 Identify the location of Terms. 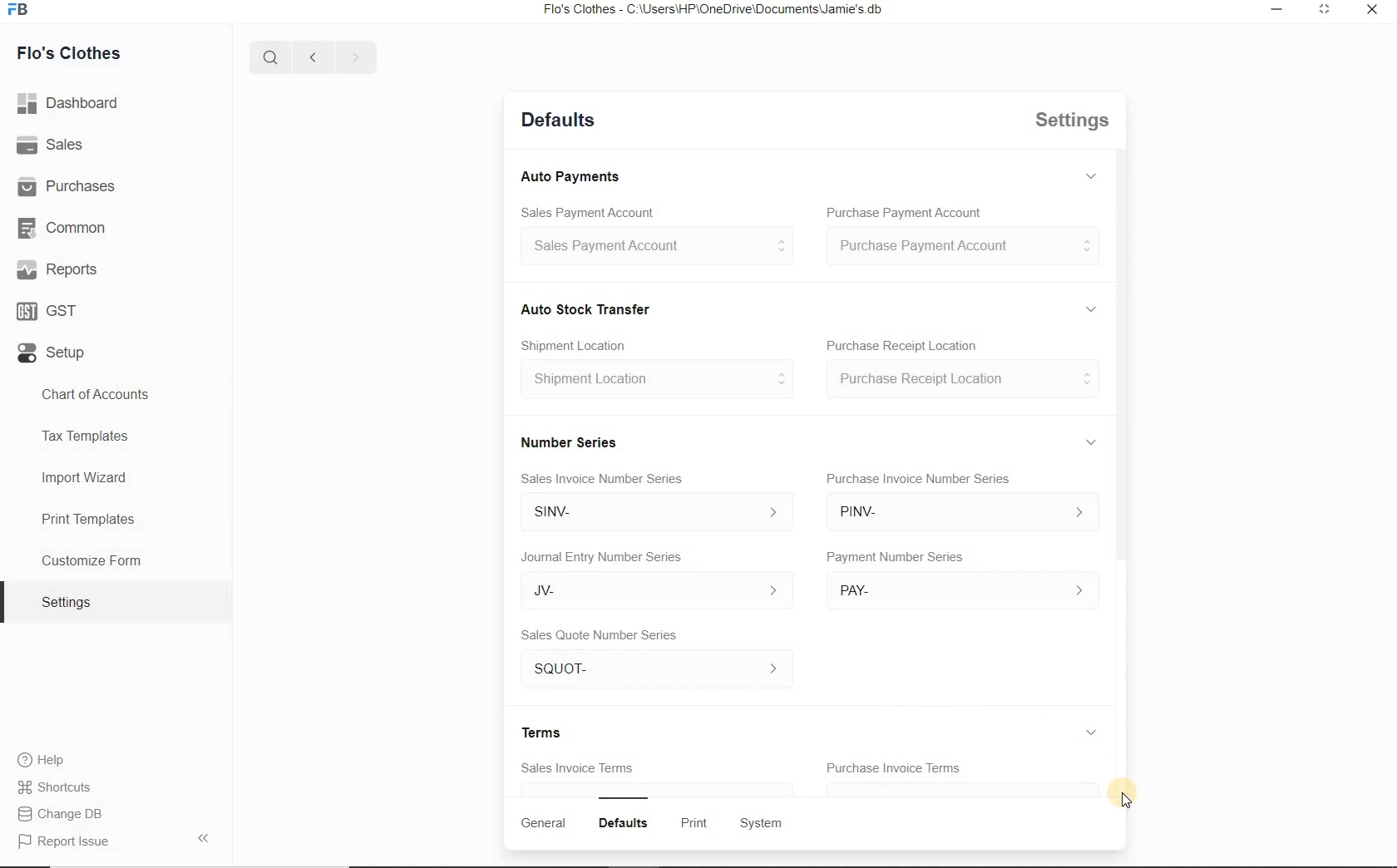
(541, 732).